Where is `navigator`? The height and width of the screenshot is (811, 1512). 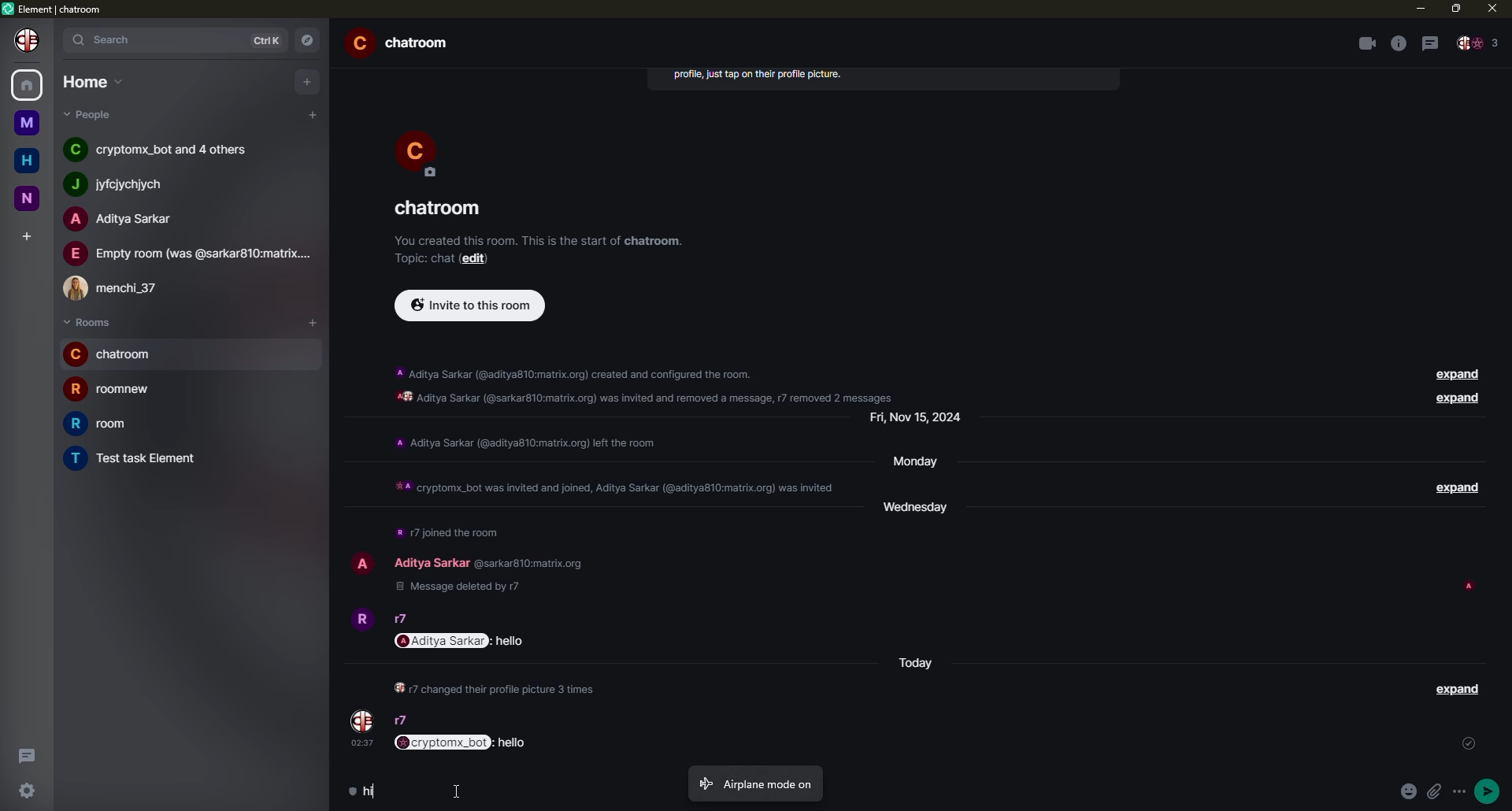
navigator is located at coordinates (309, 41).